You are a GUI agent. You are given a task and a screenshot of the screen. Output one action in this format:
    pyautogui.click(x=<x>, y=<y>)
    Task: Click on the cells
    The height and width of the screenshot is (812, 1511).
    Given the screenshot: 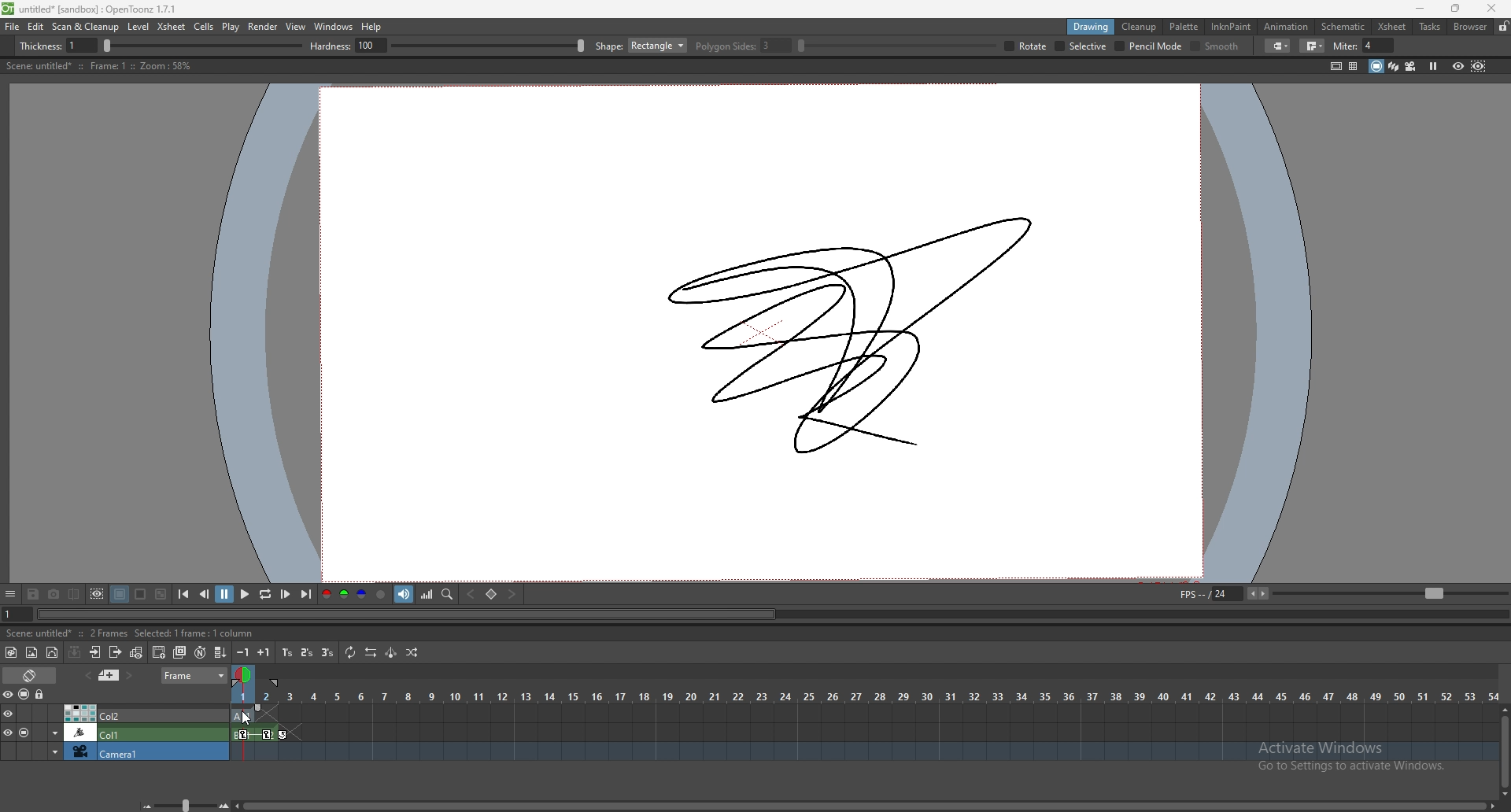 What is the action you would take?
    pyautogui.click(x=203, y=26)
    